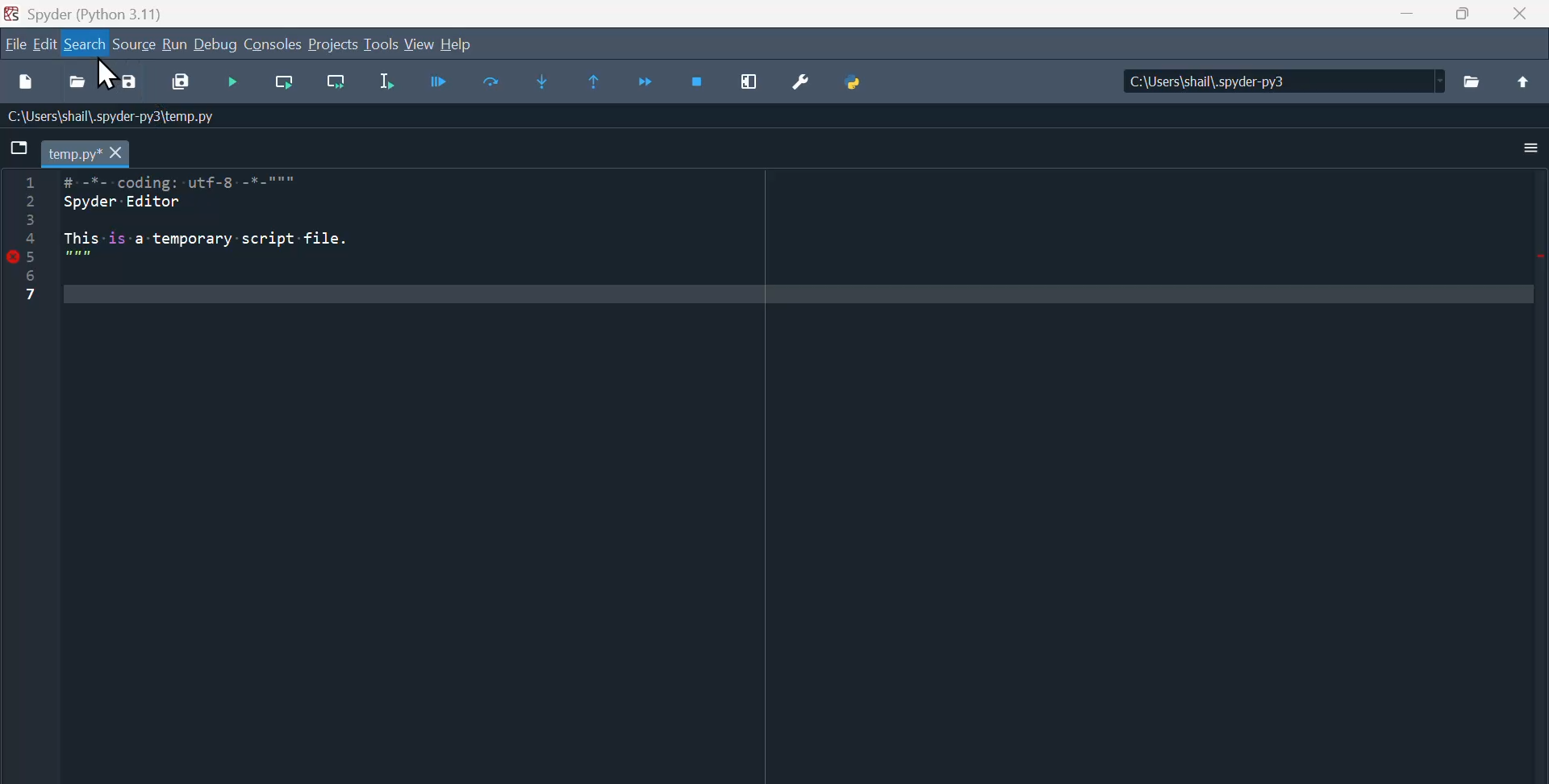 The image size is (1549, 784). Describe the element at coordinates (88, 153) in the screenshot. I see `Filename` at that location.